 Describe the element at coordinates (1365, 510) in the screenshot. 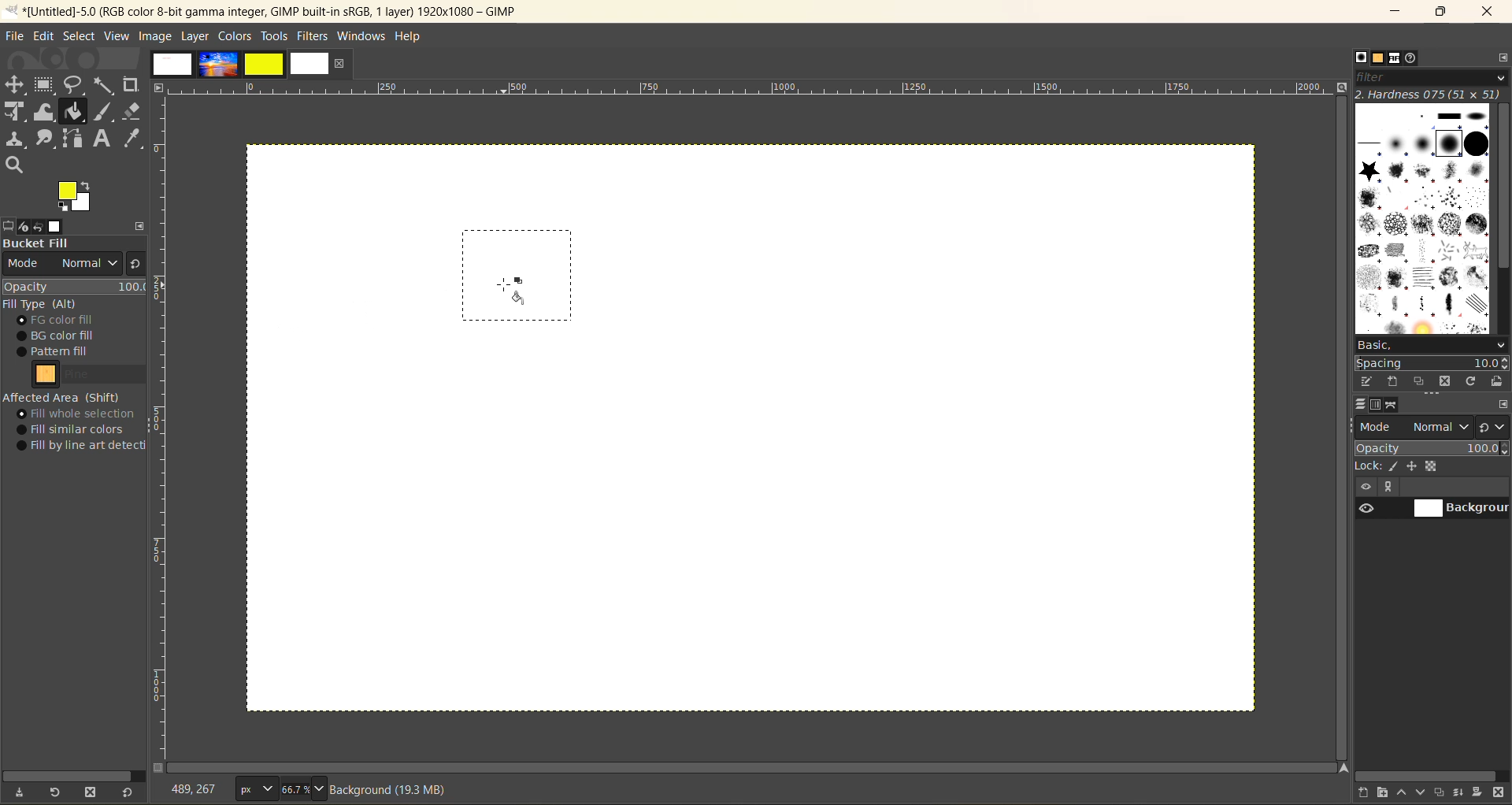

I see `preview` at that location.